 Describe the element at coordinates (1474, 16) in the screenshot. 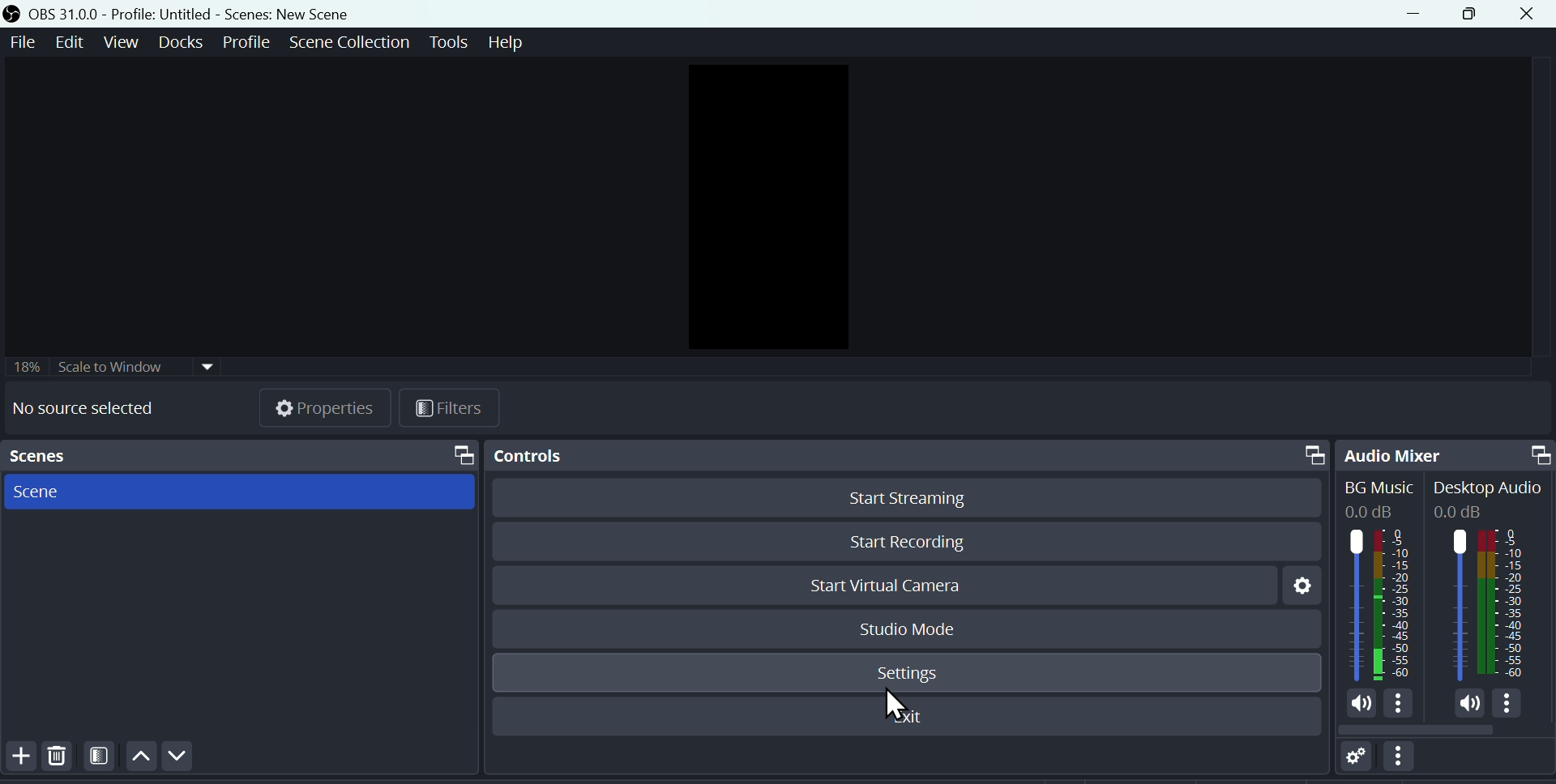

I see `Maximise` at that location.